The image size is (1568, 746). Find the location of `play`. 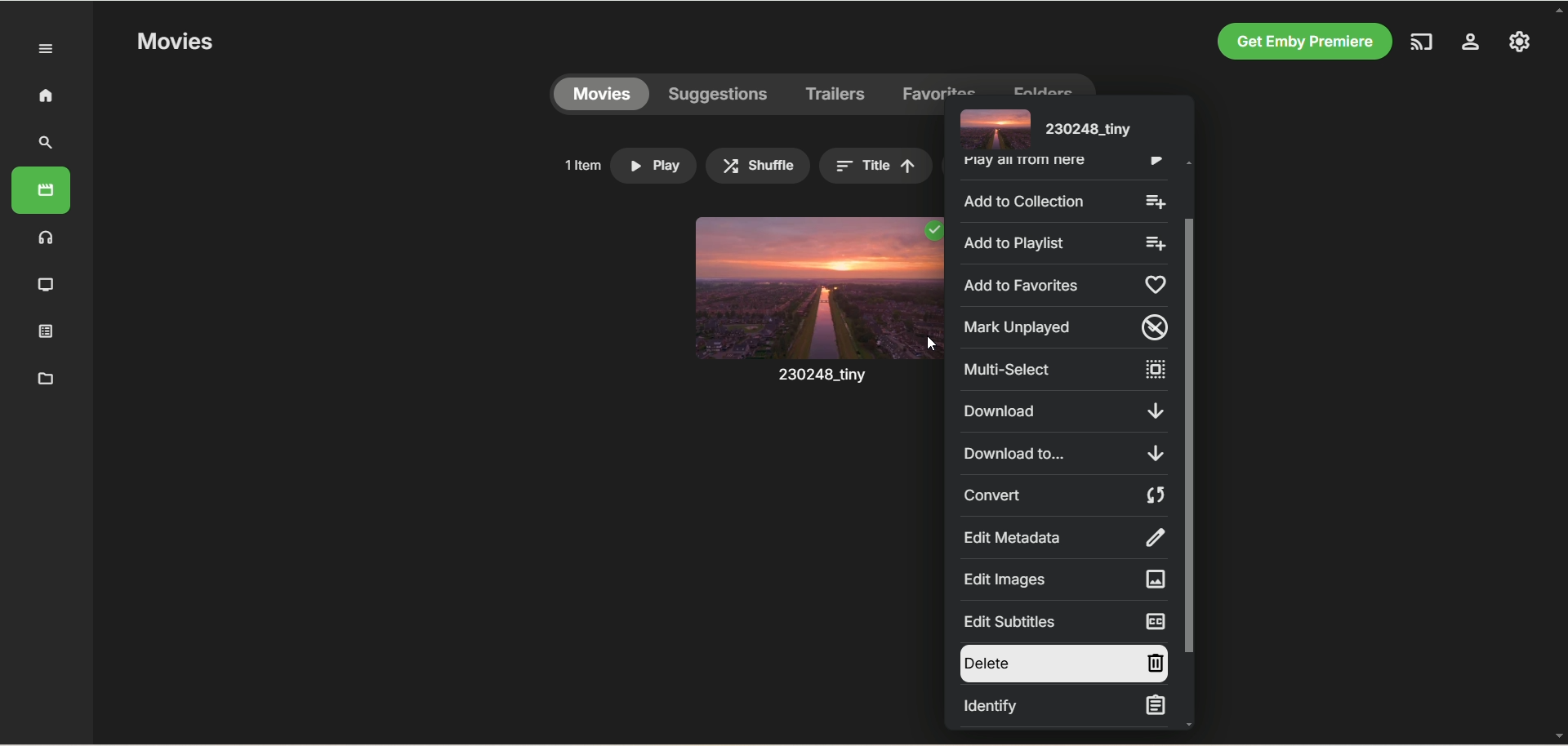

play is located at coordinates (653, 166).